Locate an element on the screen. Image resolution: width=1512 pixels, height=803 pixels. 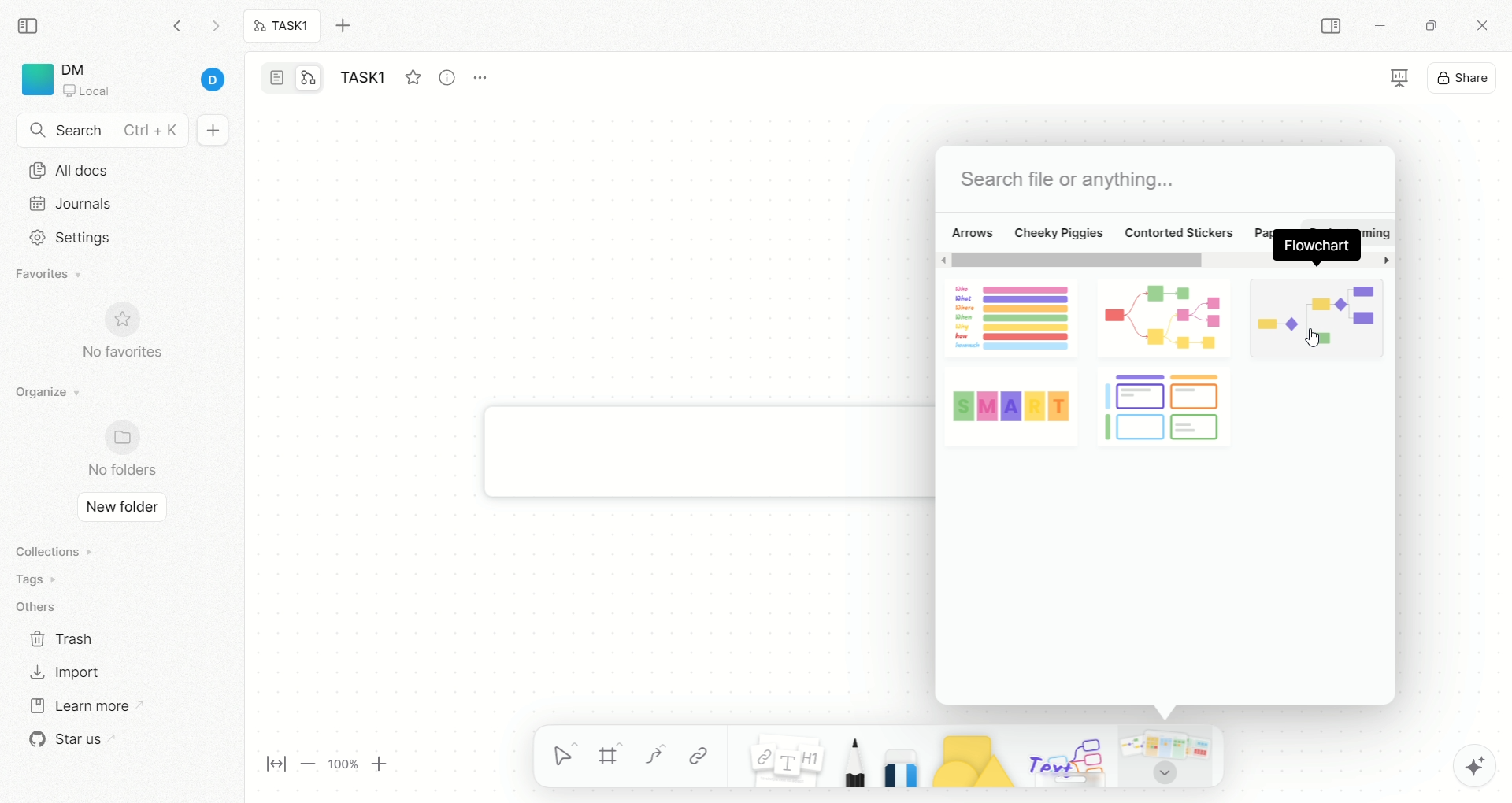
import is located at coordinates (63, 672).